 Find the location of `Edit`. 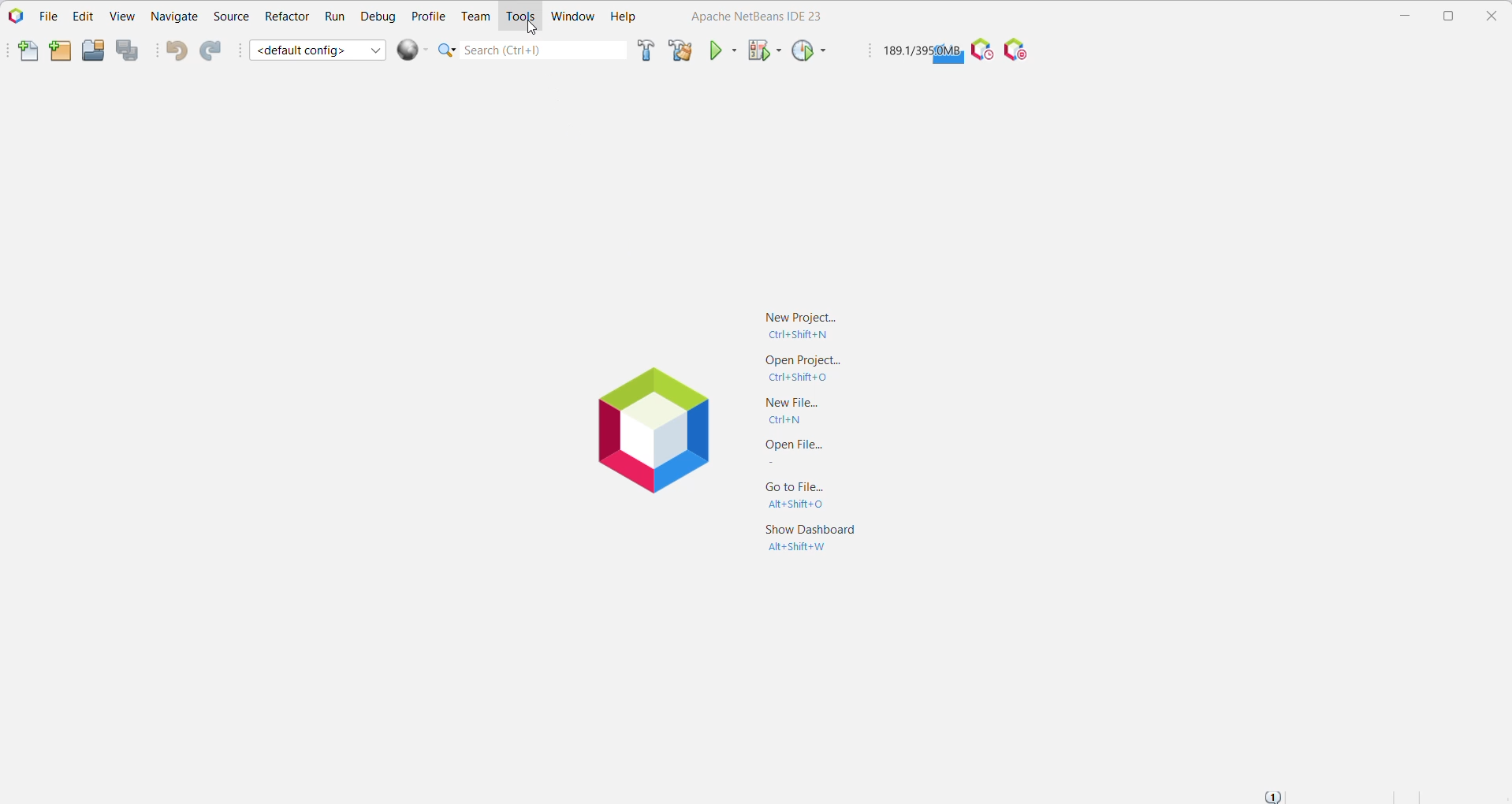

Edit is located at coordinates (80, 17).